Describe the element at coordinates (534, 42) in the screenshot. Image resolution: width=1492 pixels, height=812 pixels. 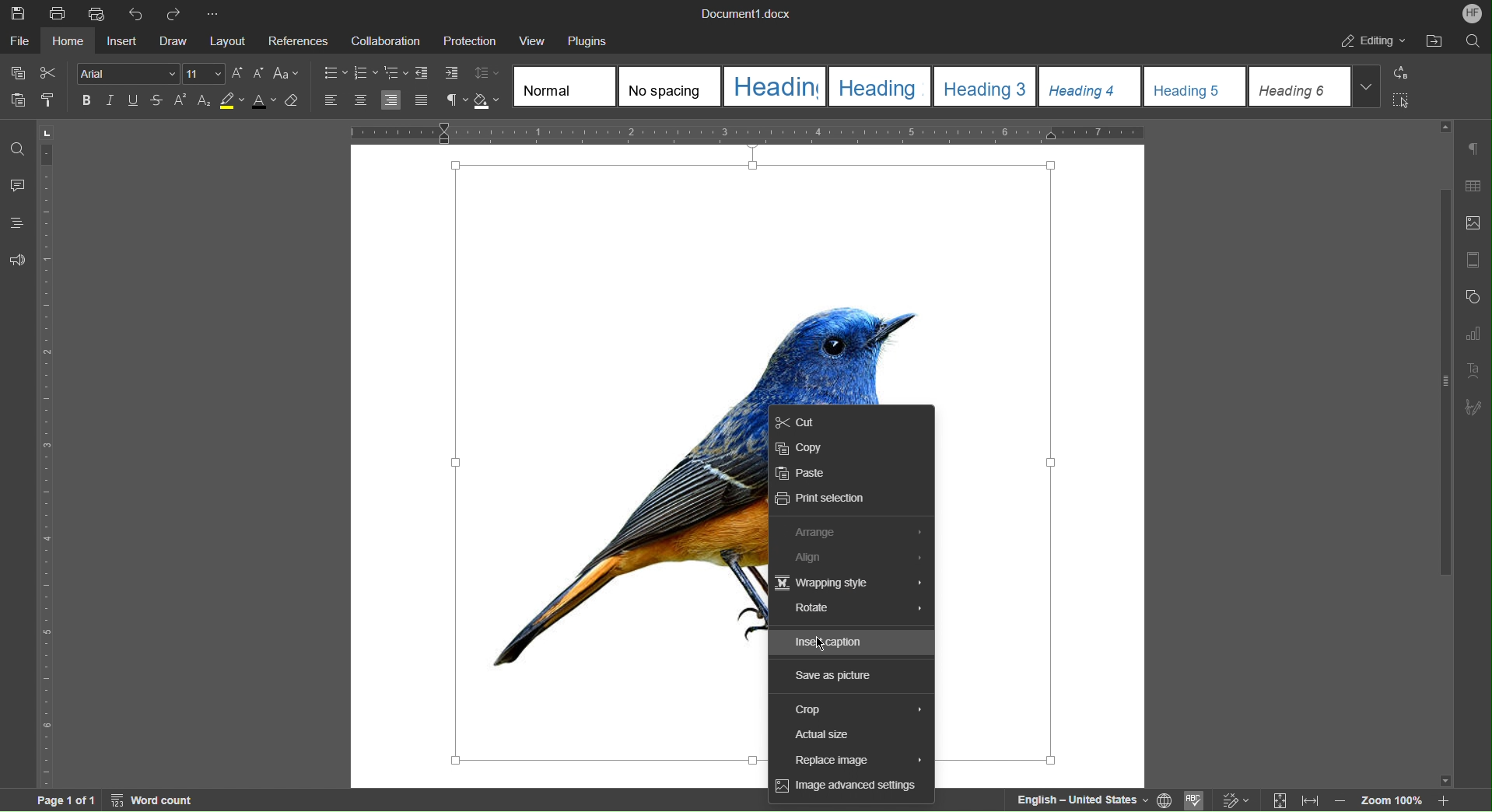
I see `View` at that location.